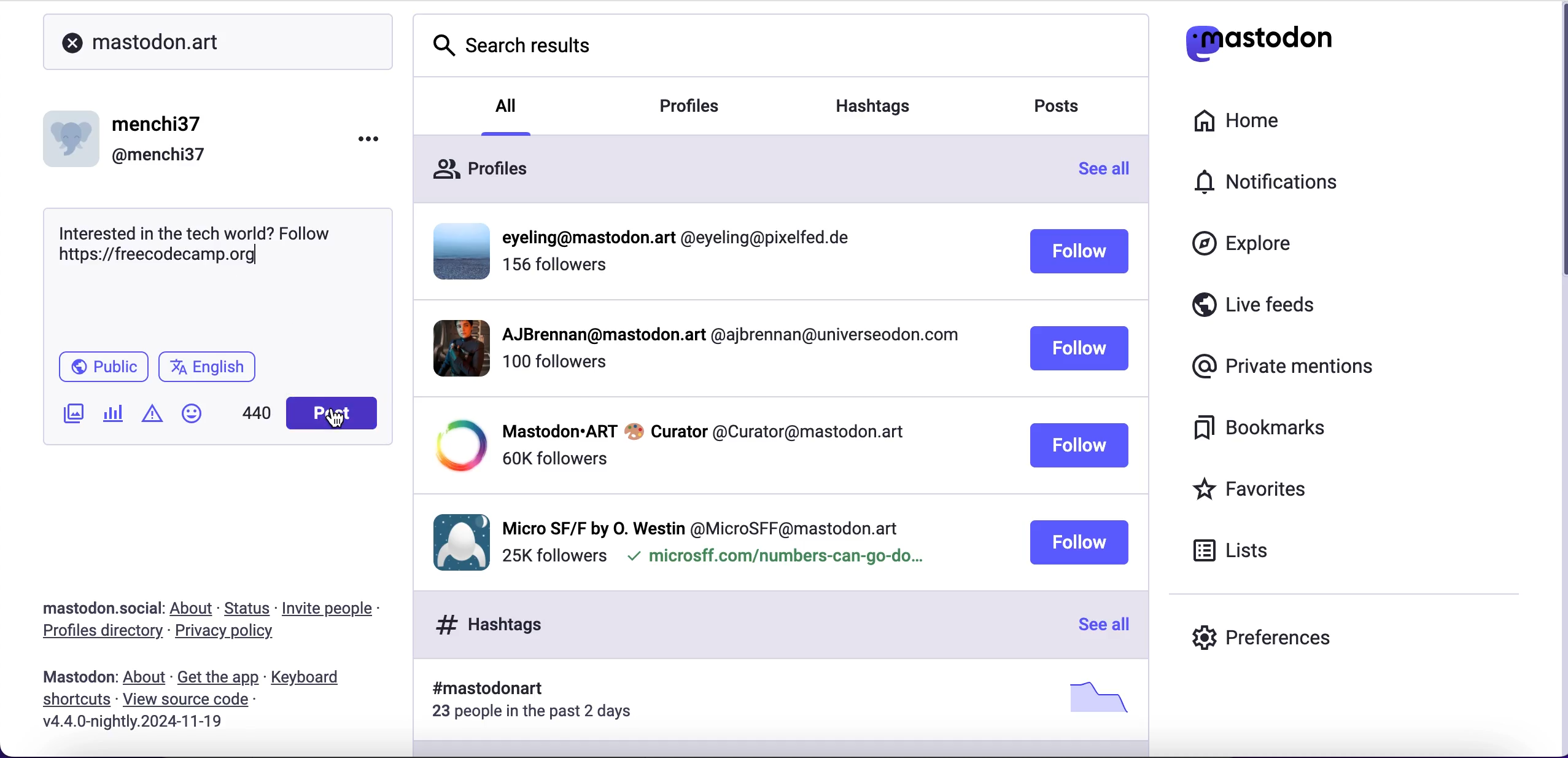  I want to click on home, so click(1239, 122).